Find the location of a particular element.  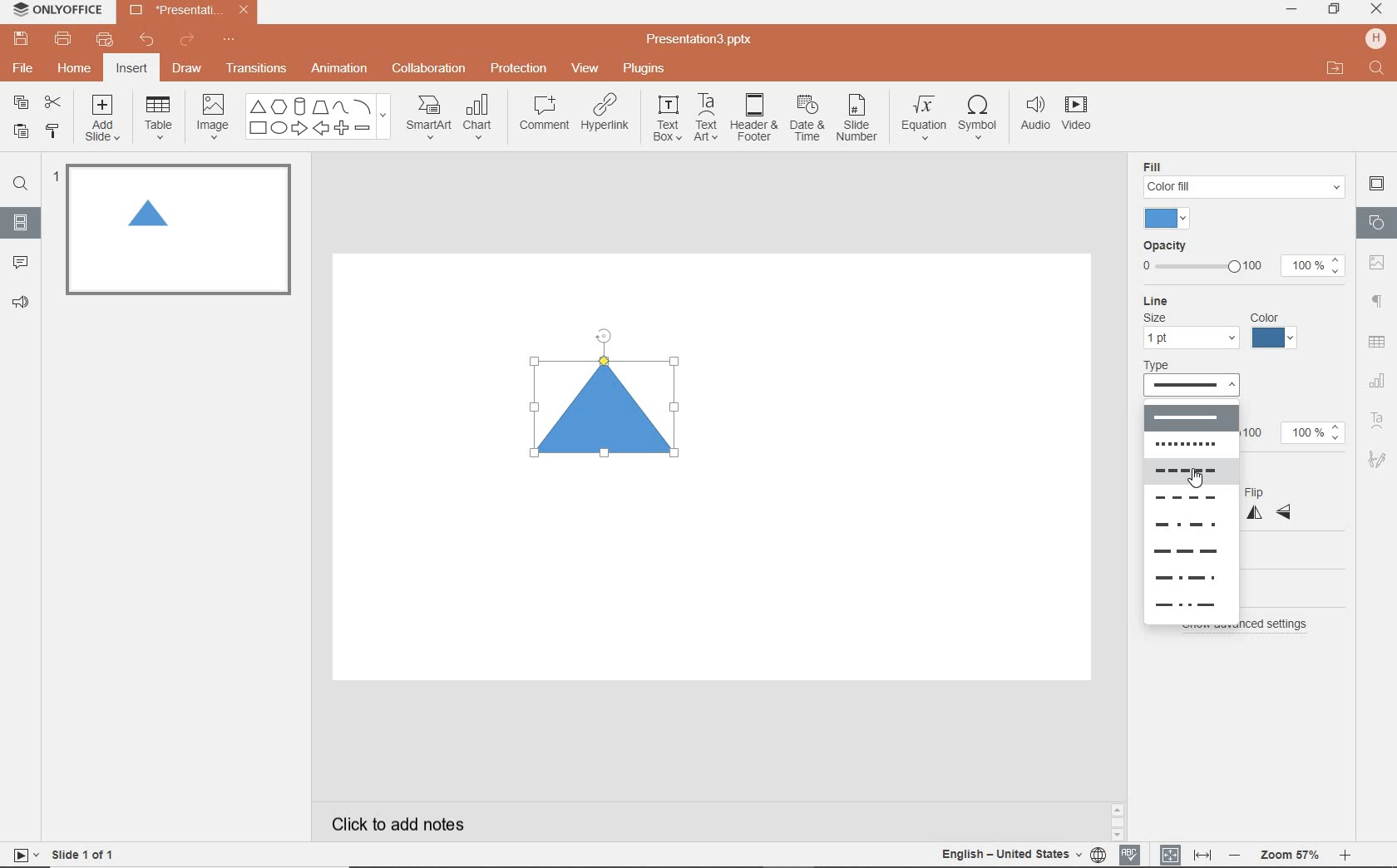

TABLE is located at coordinates (159, 118).